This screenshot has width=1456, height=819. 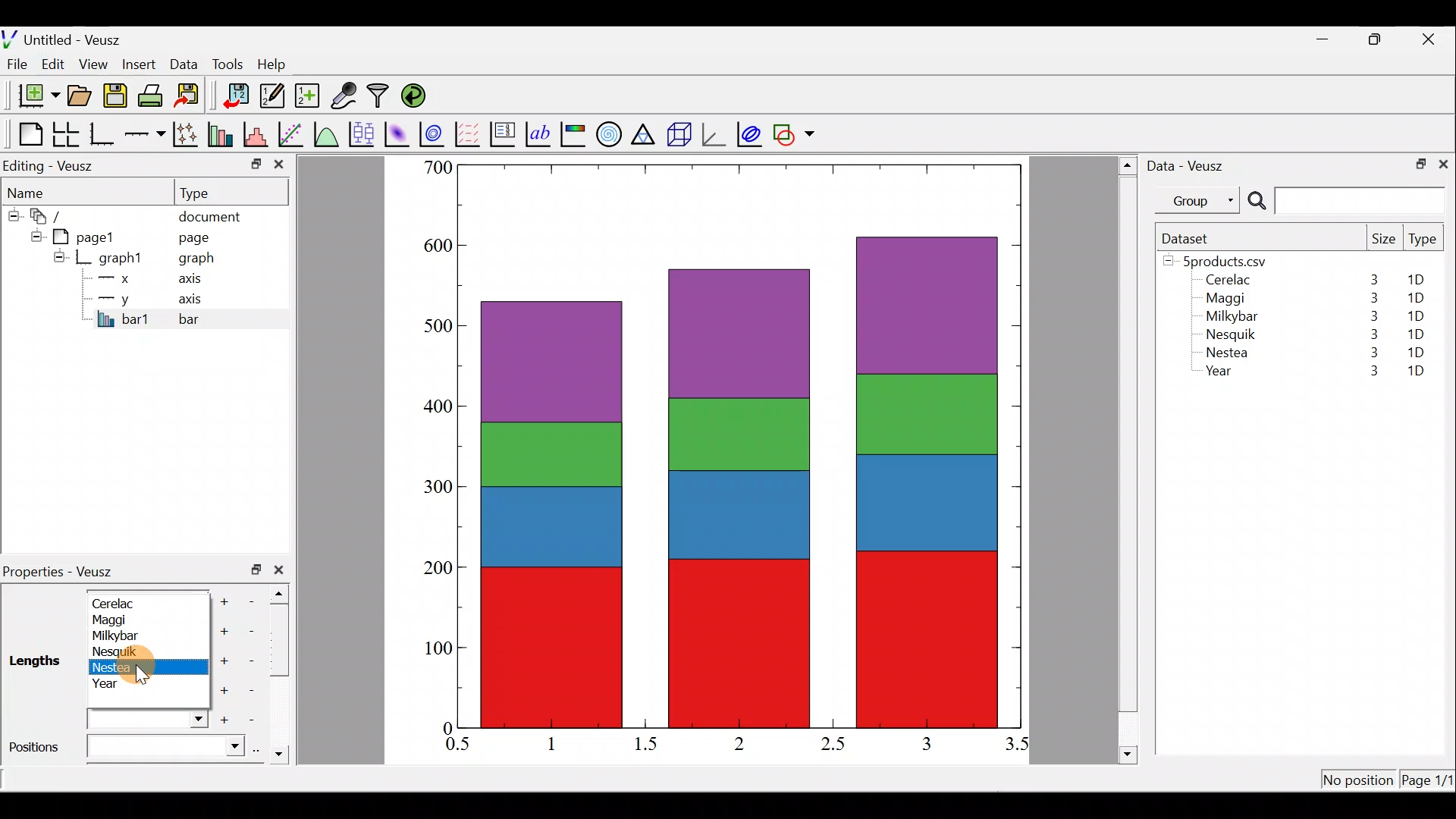 What do you see at coordinates (121, 259) in the screenshot?
I see `graph1` at bounding box center [121, 259].